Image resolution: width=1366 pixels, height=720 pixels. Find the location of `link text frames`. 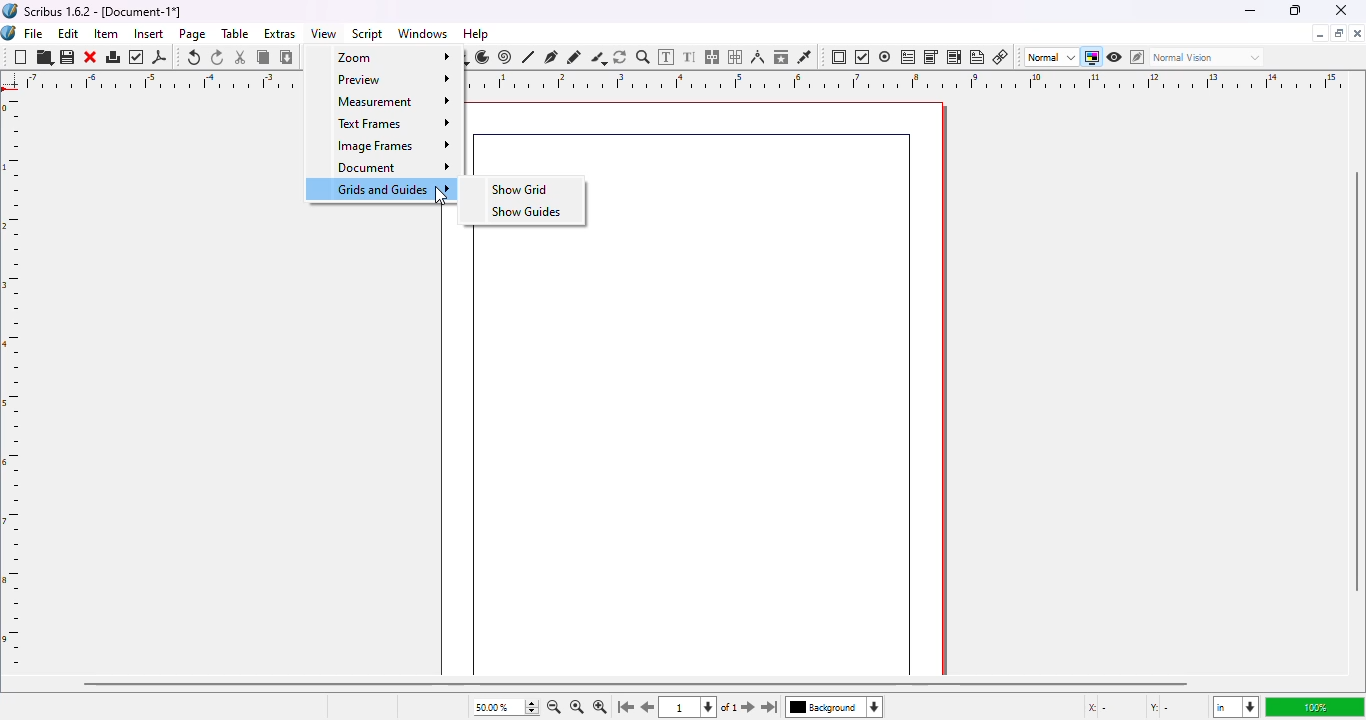

link text frames is located at coordinates (713, 57).